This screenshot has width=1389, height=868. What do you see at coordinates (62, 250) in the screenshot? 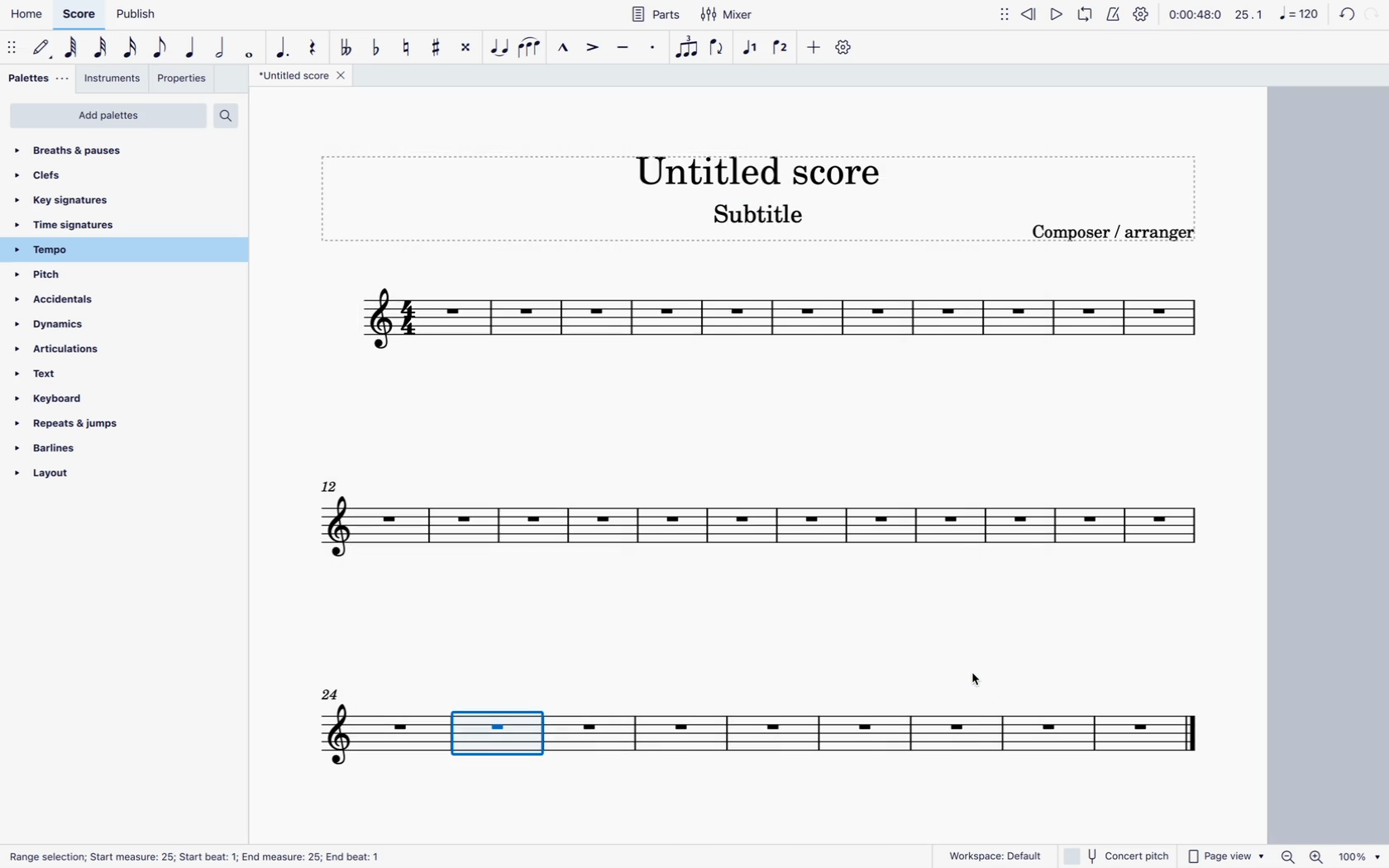
I see `tempo` at bounding box center [62, 250].